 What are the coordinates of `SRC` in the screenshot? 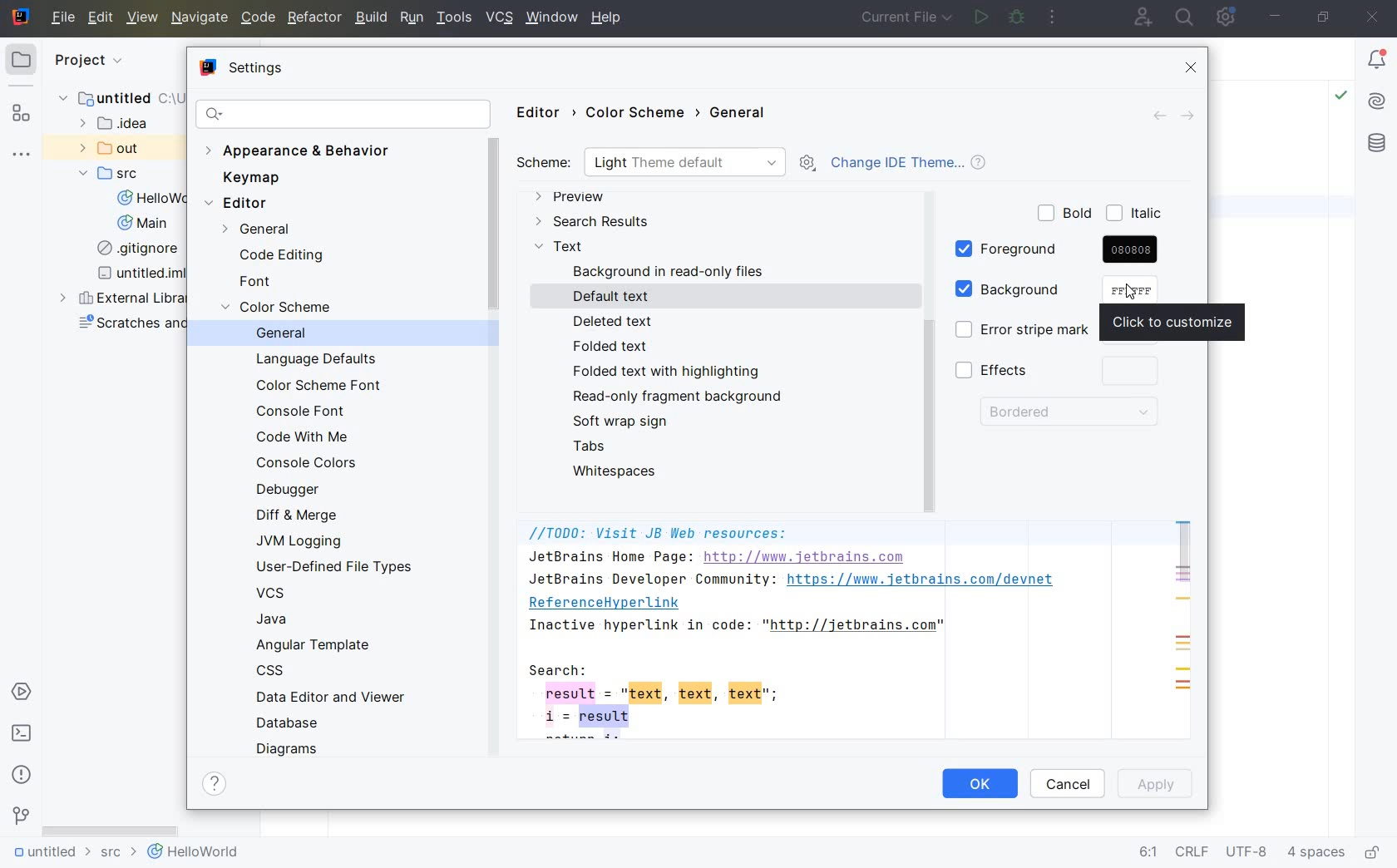 It's located at (111, 174).